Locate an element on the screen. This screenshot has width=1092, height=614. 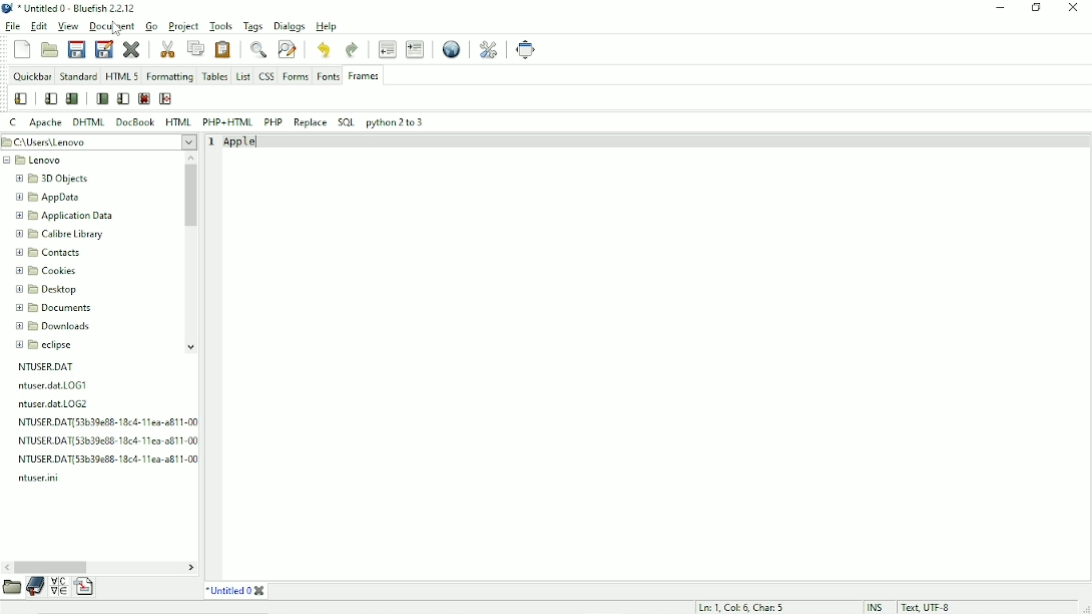
Open file is located at coordinates (49, 49).